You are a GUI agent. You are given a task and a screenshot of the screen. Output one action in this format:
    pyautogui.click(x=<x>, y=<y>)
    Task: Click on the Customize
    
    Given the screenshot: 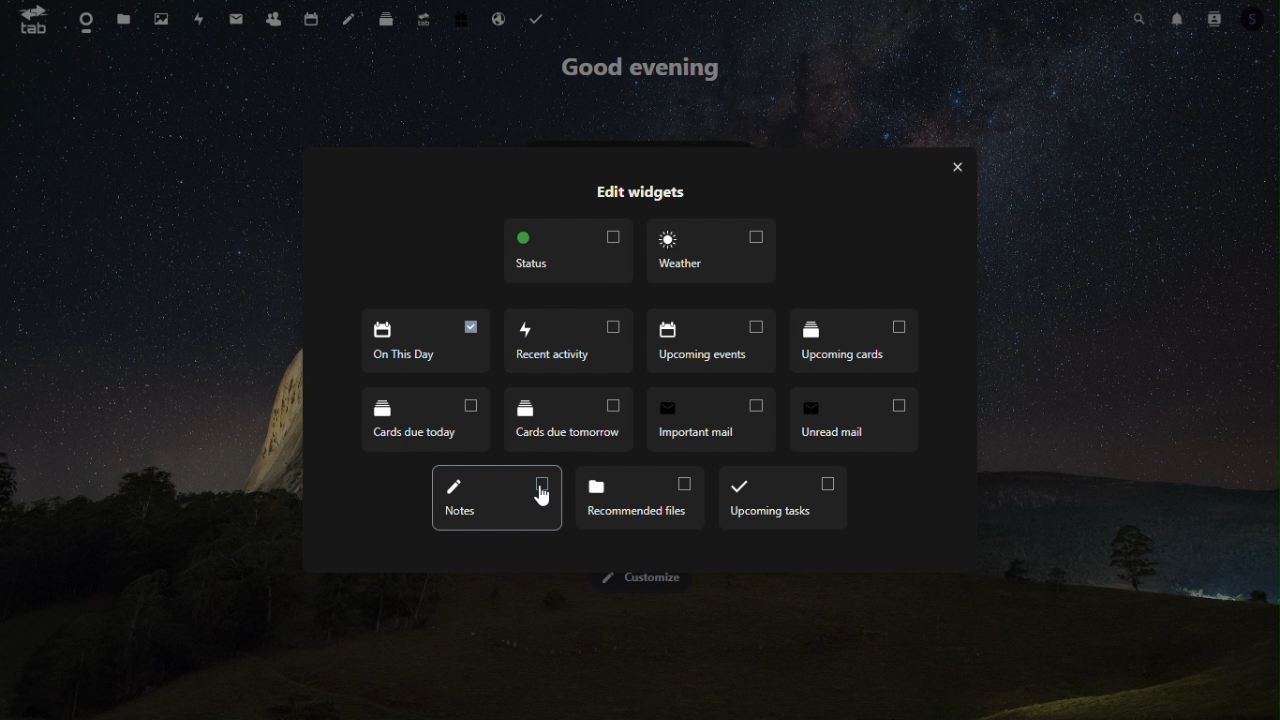 What is the action you would take?
    pyautogui.click(x=647, y=578)
    